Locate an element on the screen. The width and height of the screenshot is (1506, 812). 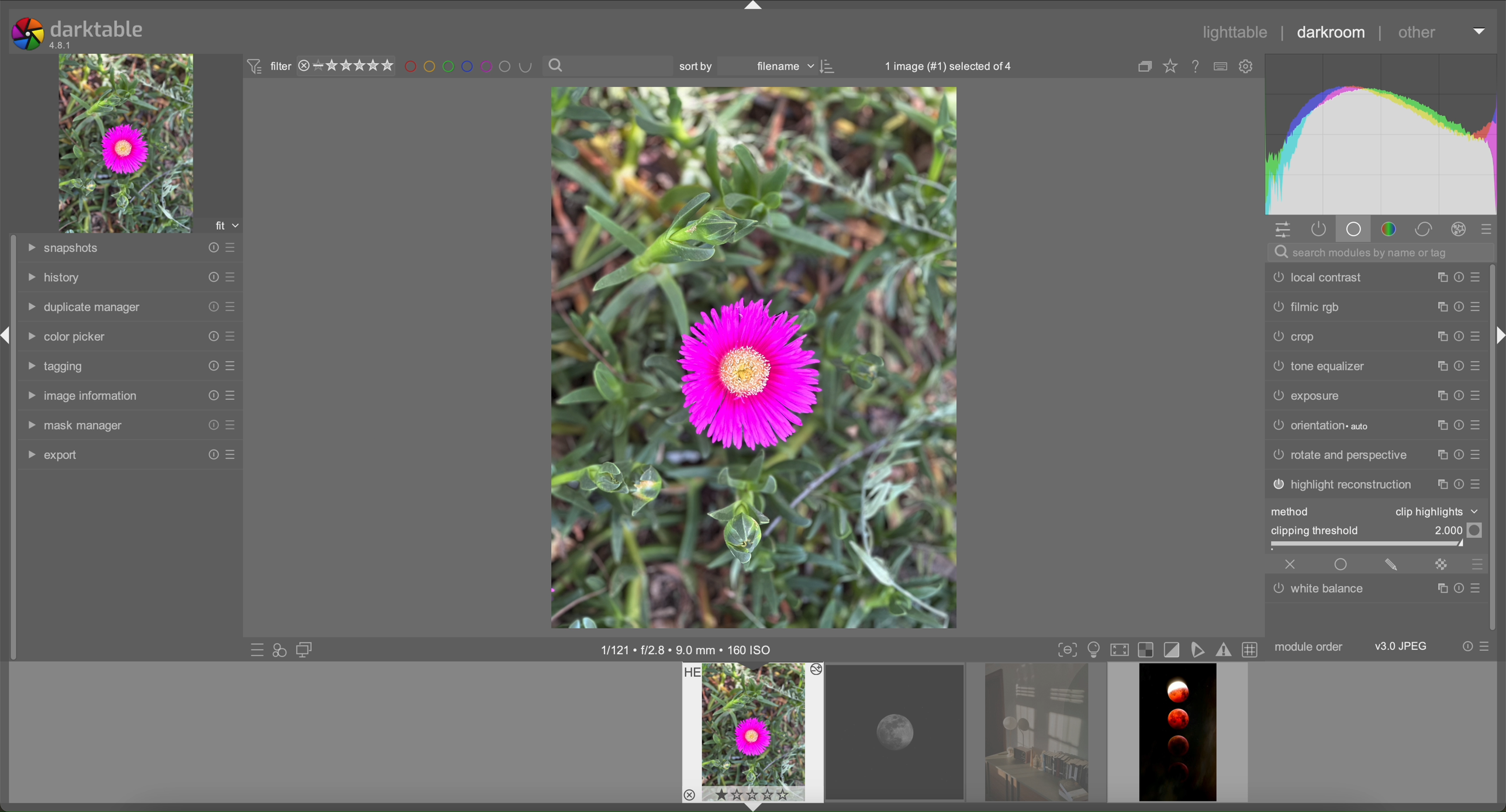
tagging tab is located at coordinates (58, 367).